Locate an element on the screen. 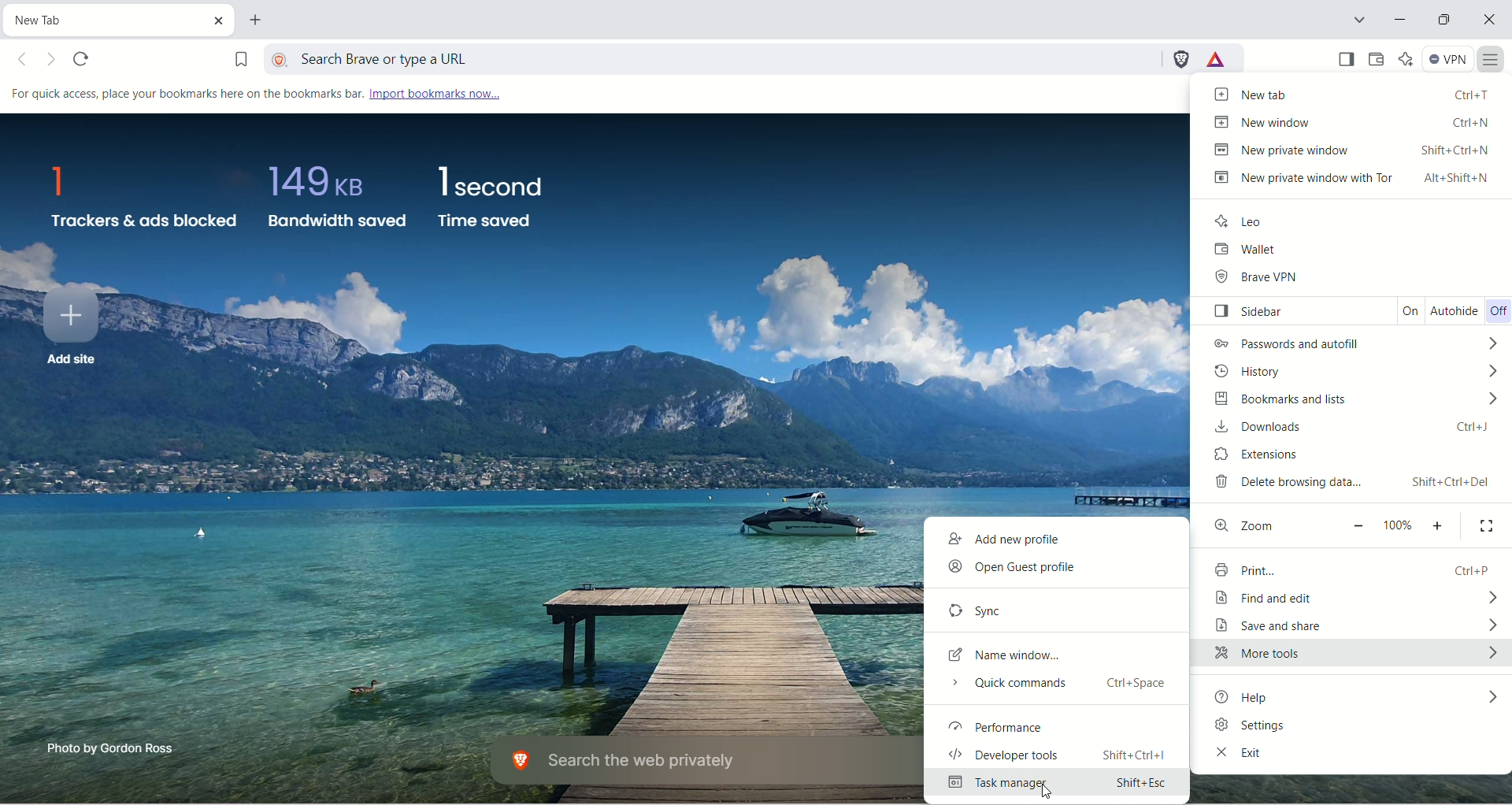 This screenshot has width=1512, height=805. lei is located at coordinates (1333, 218).